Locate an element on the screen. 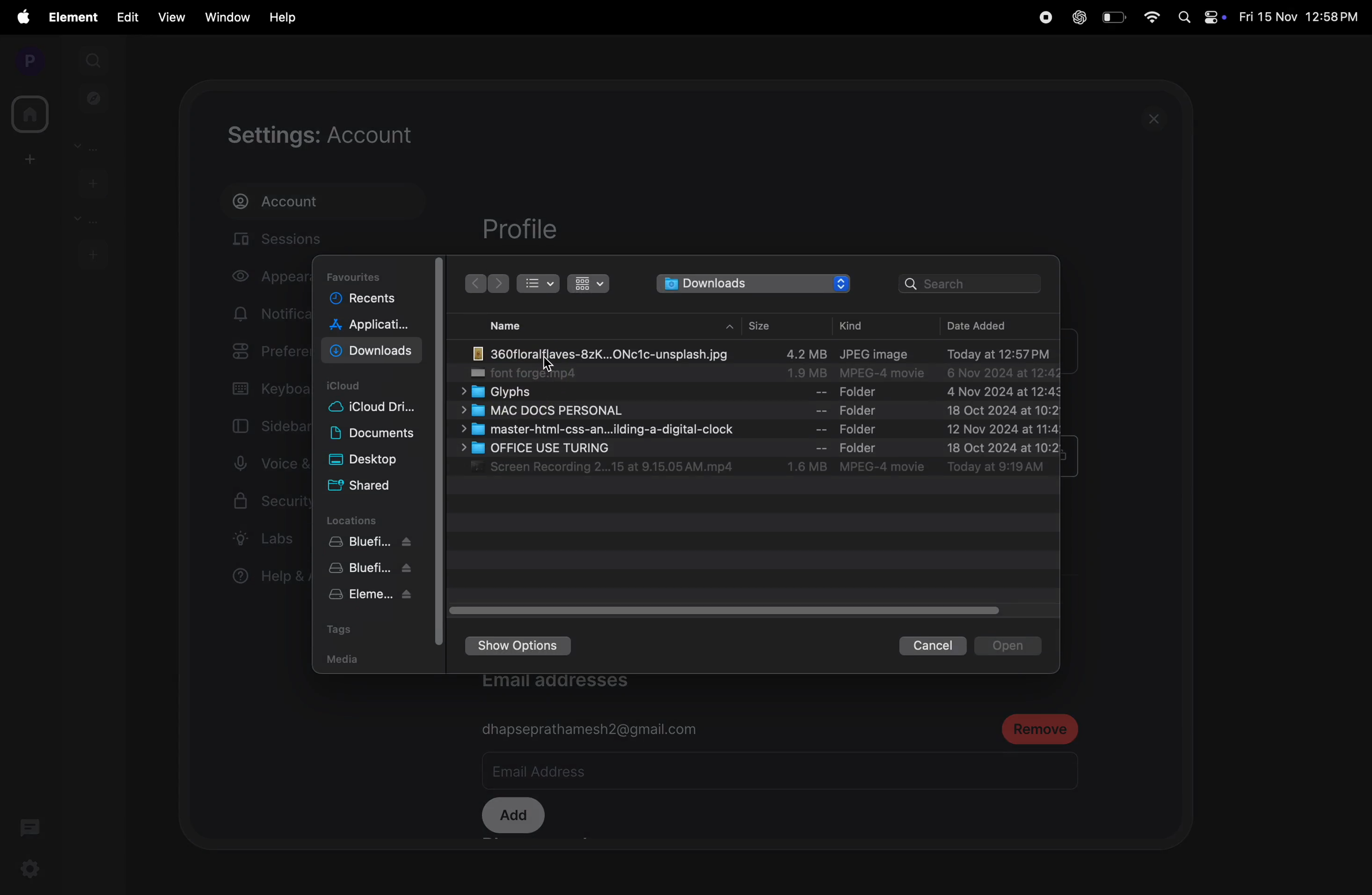 The width and height of the screenshot is (1372, 895). profile is located at coordinates (25, 60).